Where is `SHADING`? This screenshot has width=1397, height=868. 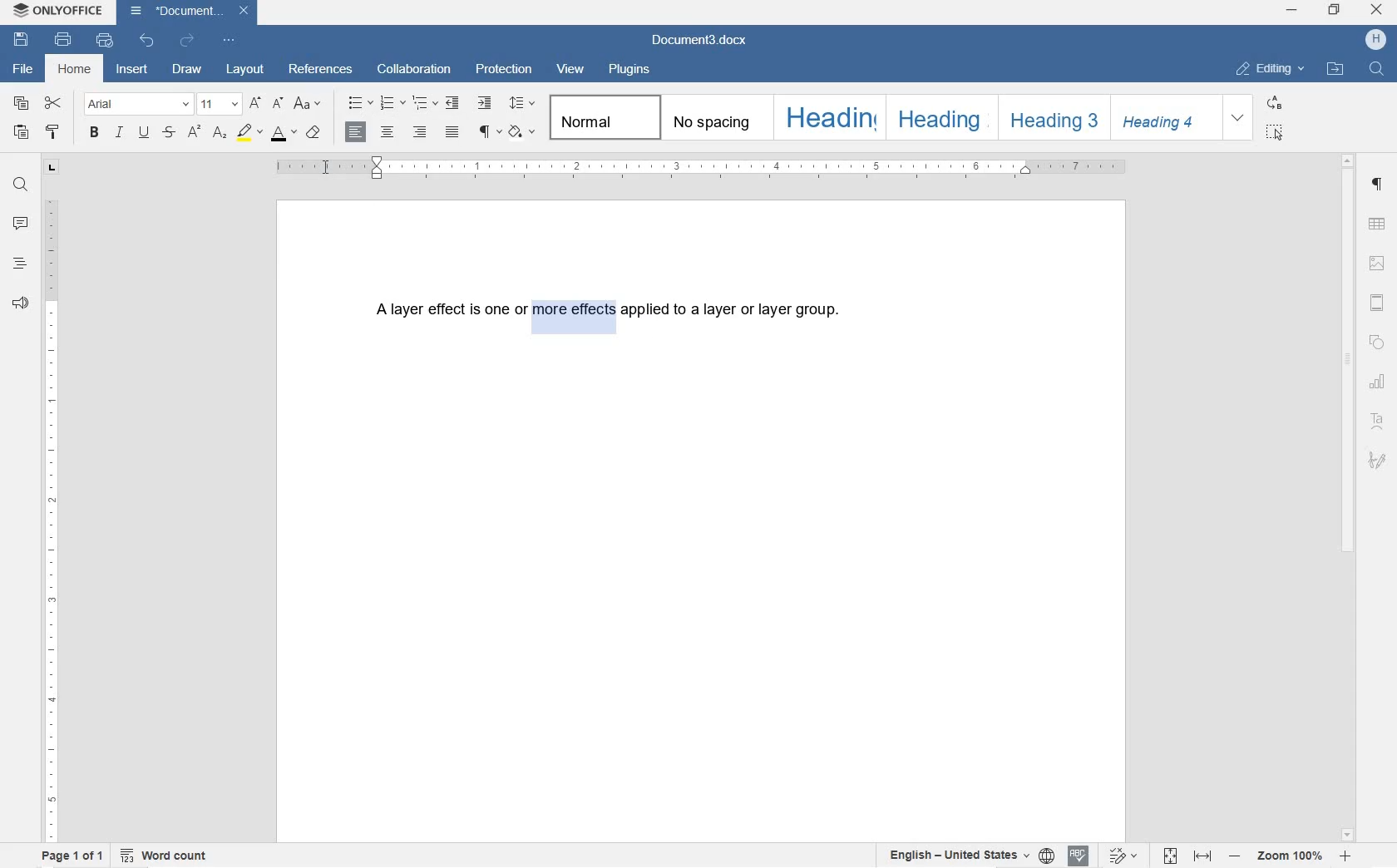
SHADING is located at coordinates (523, 131).